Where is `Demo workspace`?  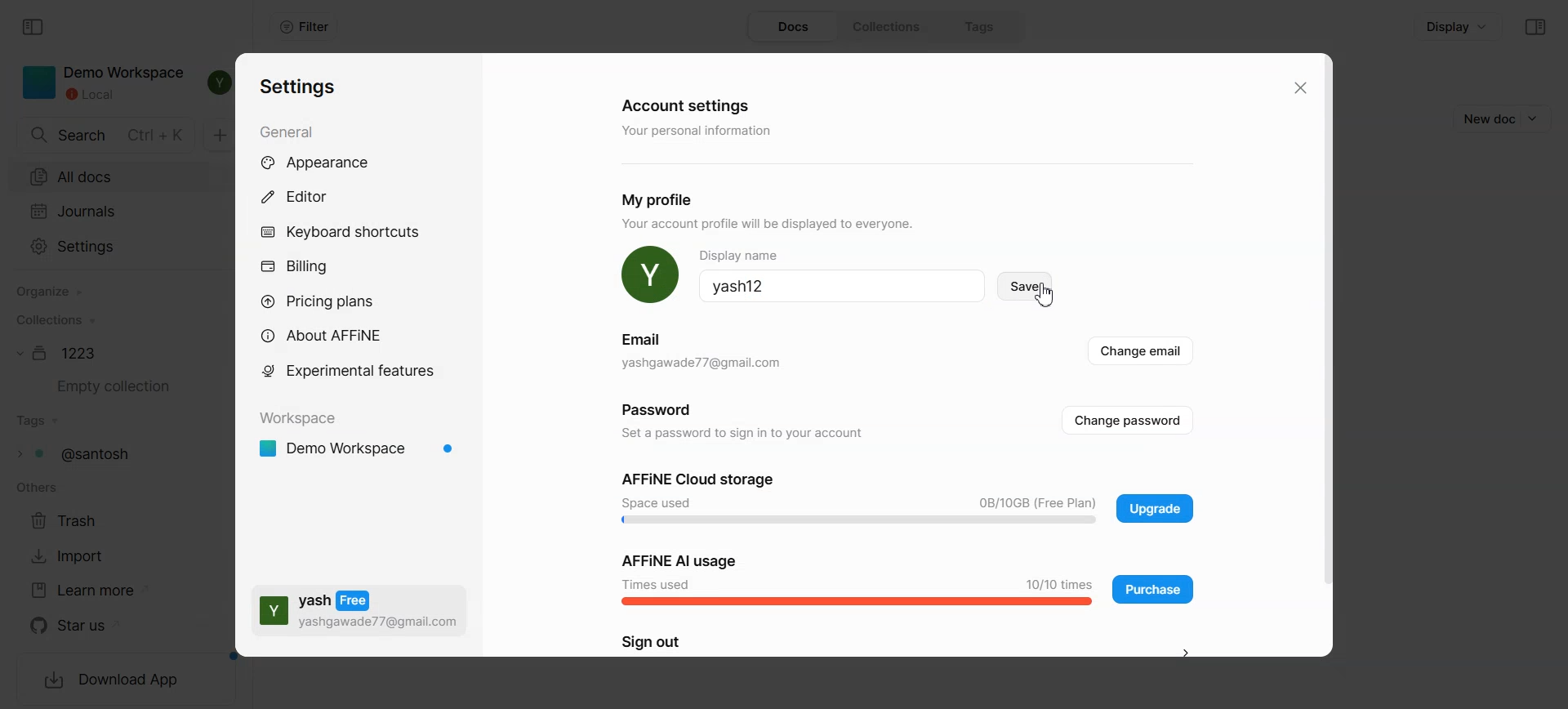
Demo workspace is located at coordinates (359, 450).